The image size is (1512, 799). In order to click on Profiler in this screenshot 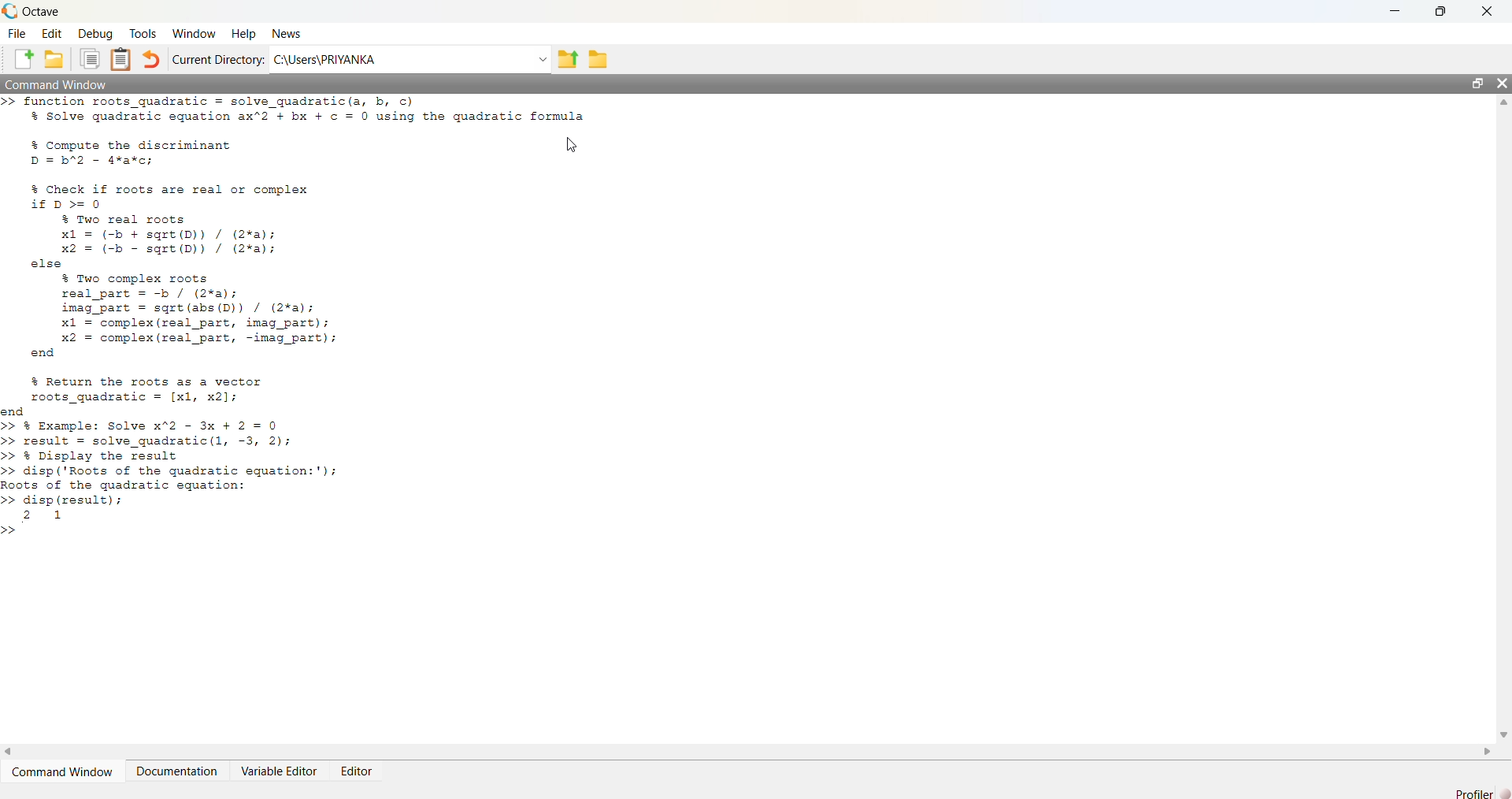, I will do `click(1482, 793)`.